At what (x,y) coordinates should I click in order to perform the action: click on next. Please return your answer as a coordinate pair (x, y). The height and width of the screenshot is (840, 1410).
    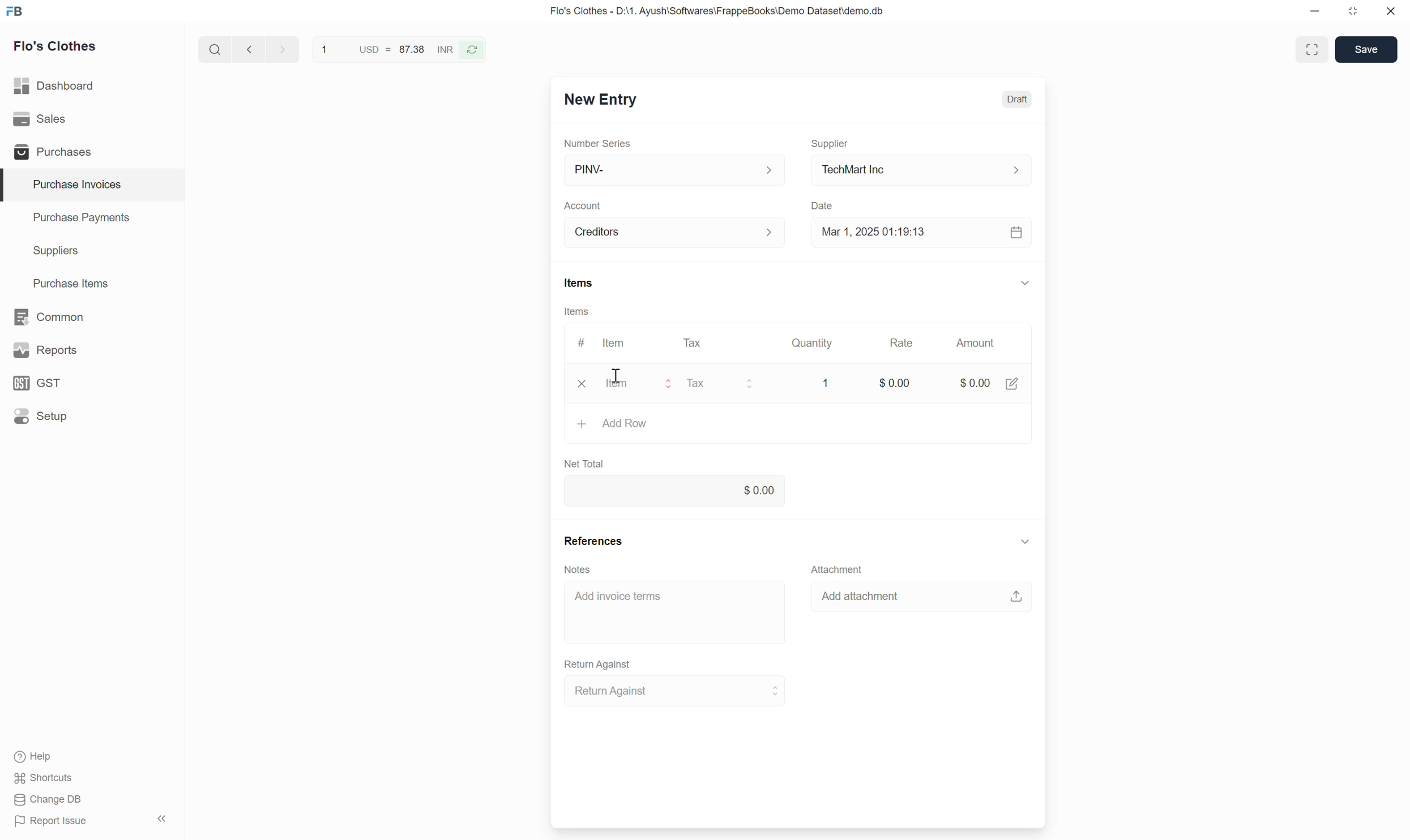
    Looking at the image, I should click on (247, 50).